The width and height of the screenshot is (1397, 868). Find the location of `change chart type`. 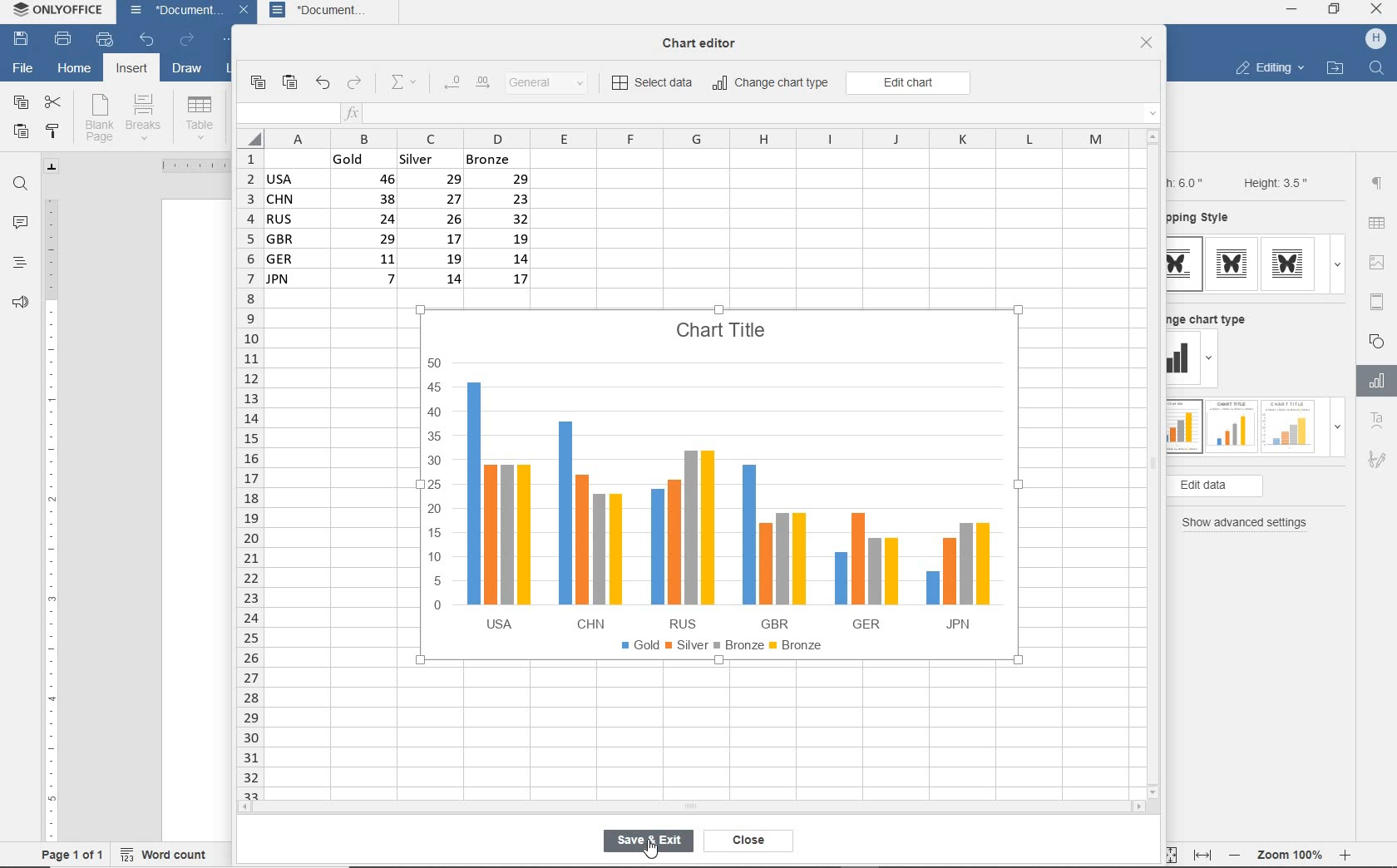

change chart type is located at coordinates (1213, 317).